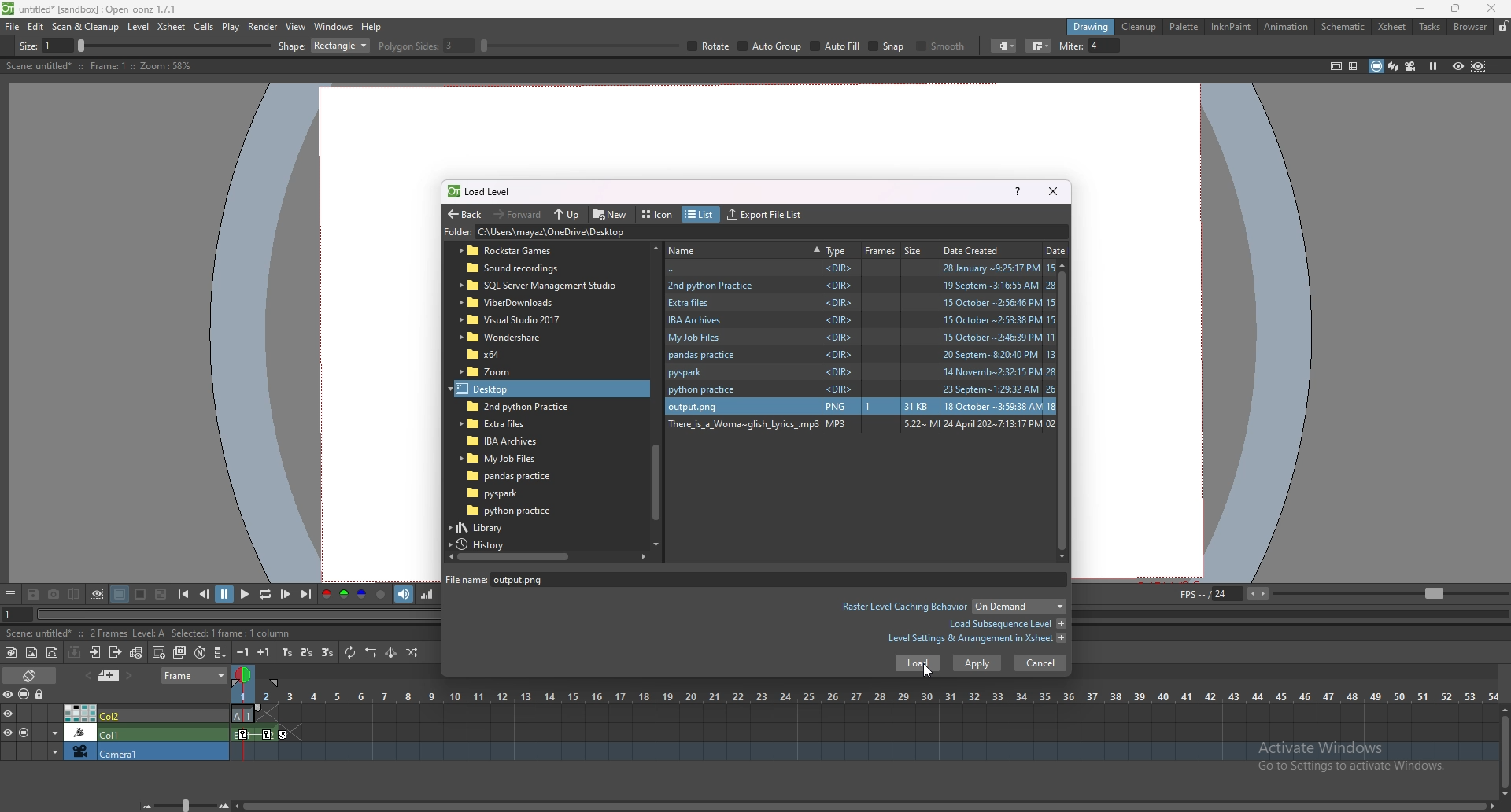  Describe the element at coordinates (504, 439) in the screenshot. I see `folder` at that location.